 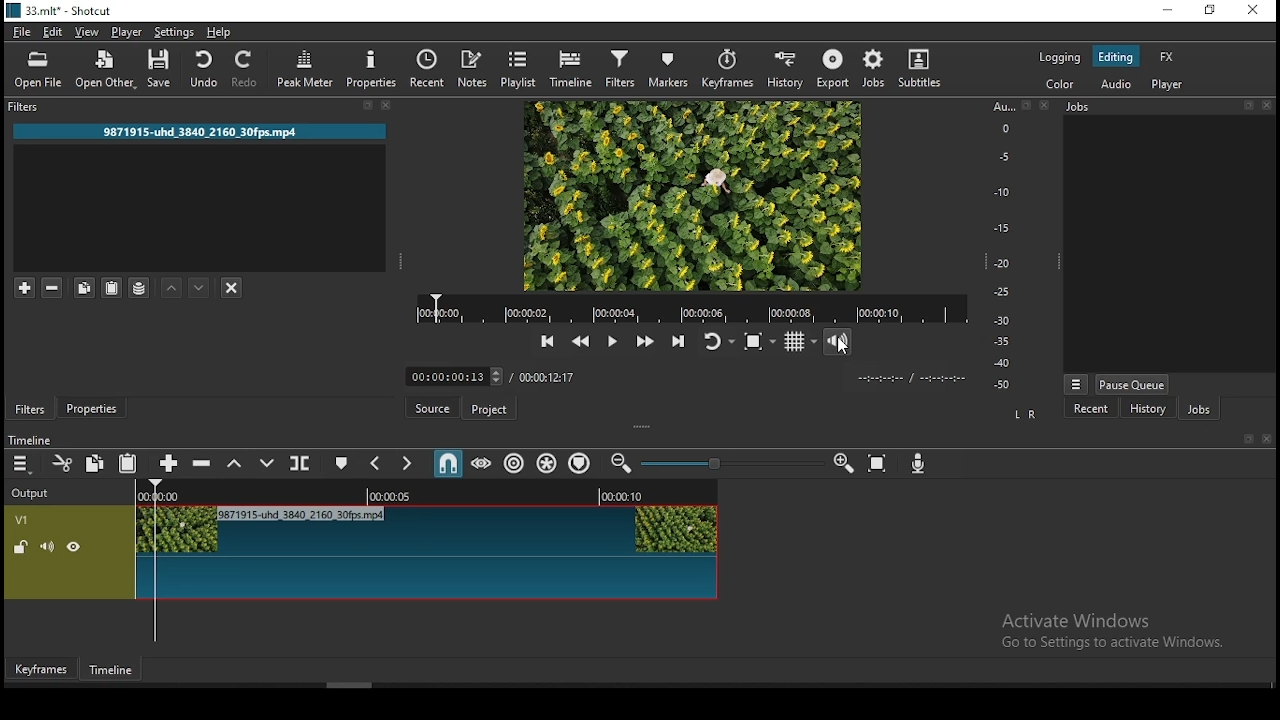 I want to click on zoom timeline in, so click(x=839, y=463).